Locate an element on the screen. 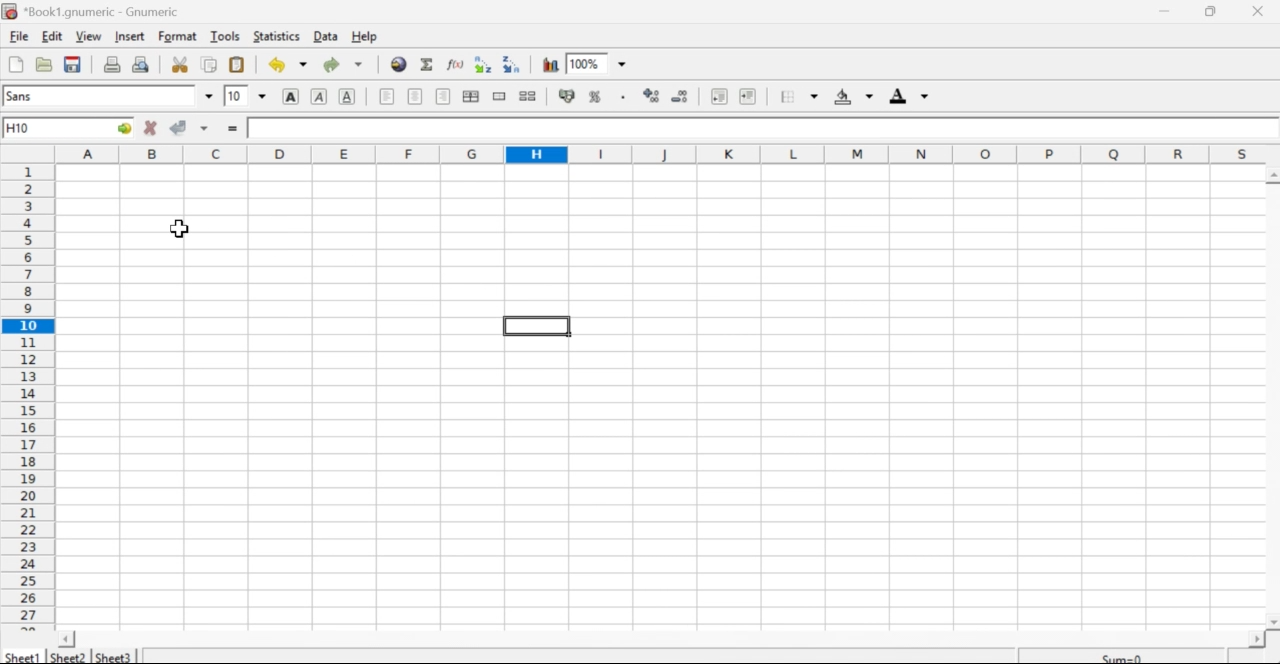 This screenshot has width=1280, height=664. Group pf cells is located at coordinates (472, 97).